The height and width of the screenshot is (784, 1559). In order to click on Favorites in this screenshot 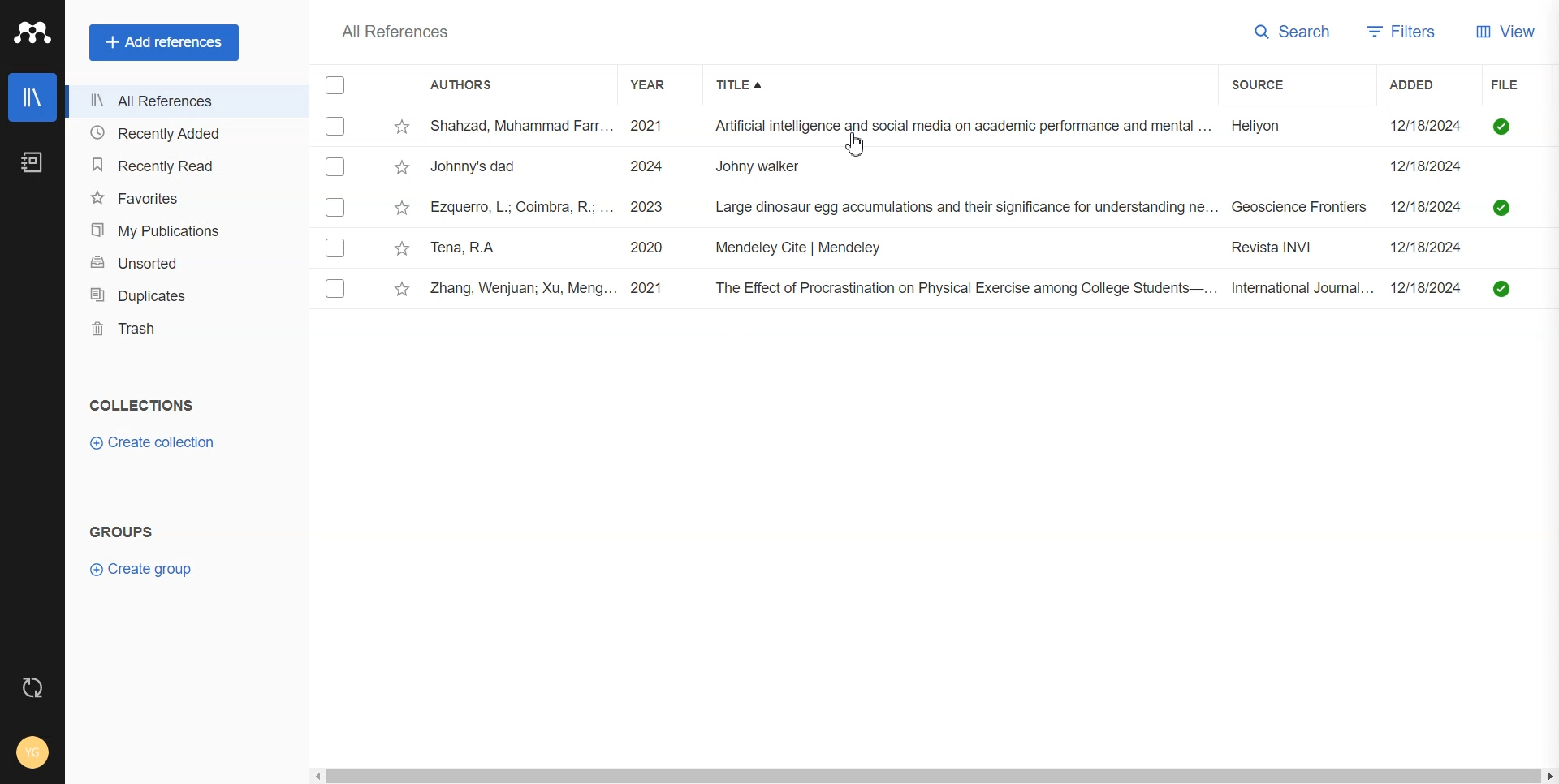, I will do `click(174, 199)`.